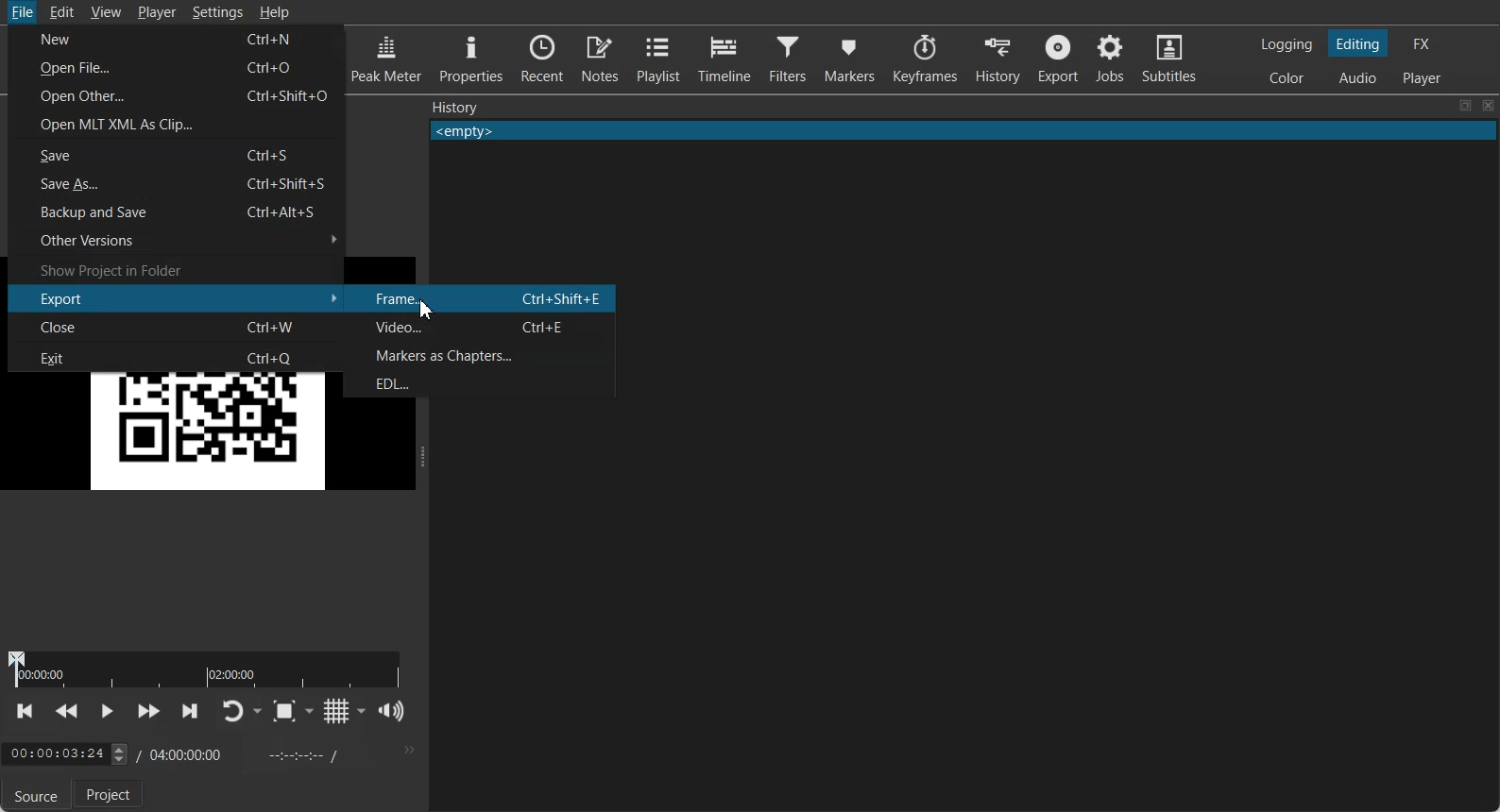 This screenshot has width=1500, height=812. I want to click on Timeline, so click(723, 56).